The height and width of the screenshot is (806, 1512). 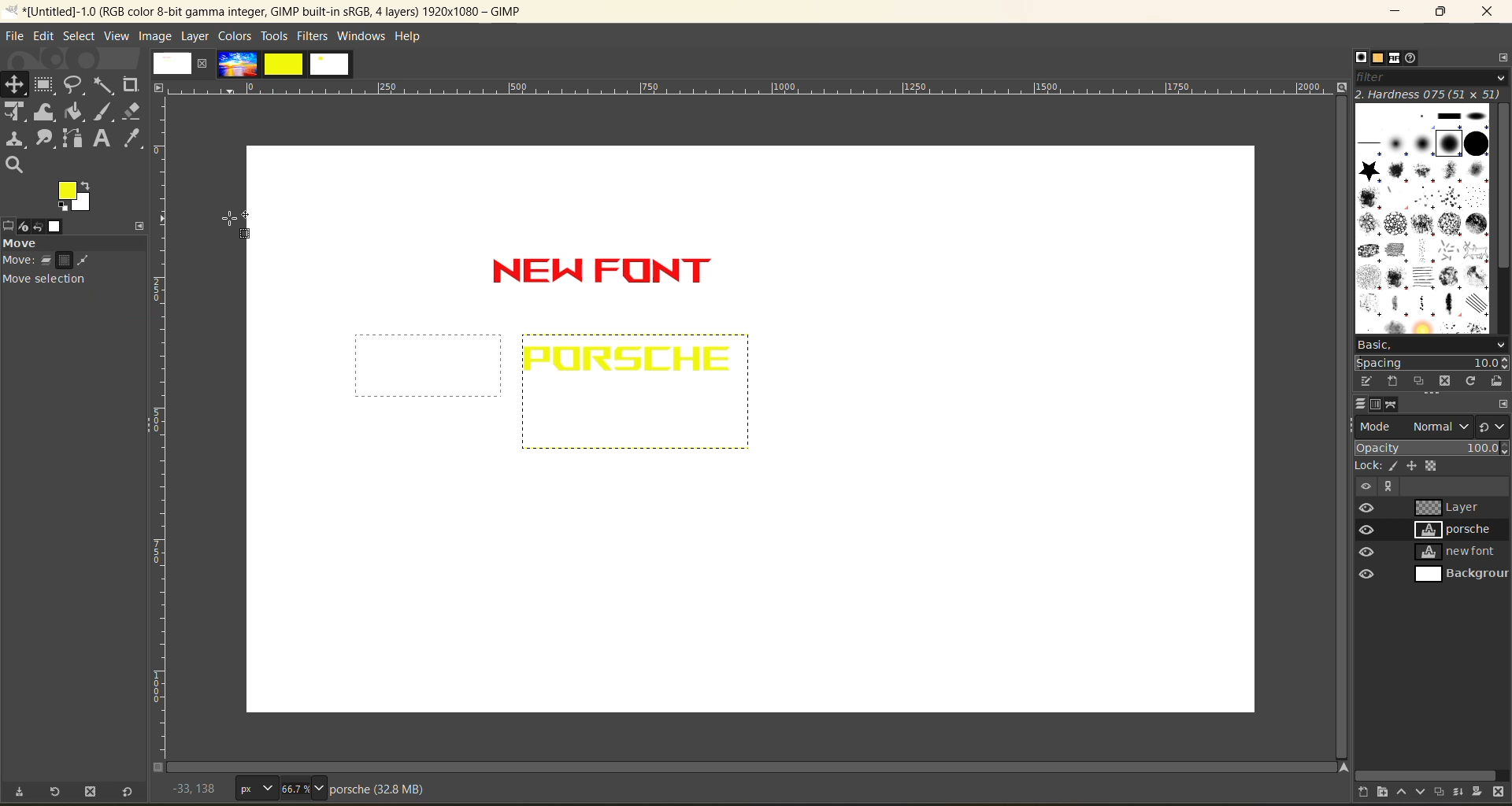 What do you see at coordinates (71, 314) in the screenshot?
I see `tool toggle` at bounding box center [71, 314].